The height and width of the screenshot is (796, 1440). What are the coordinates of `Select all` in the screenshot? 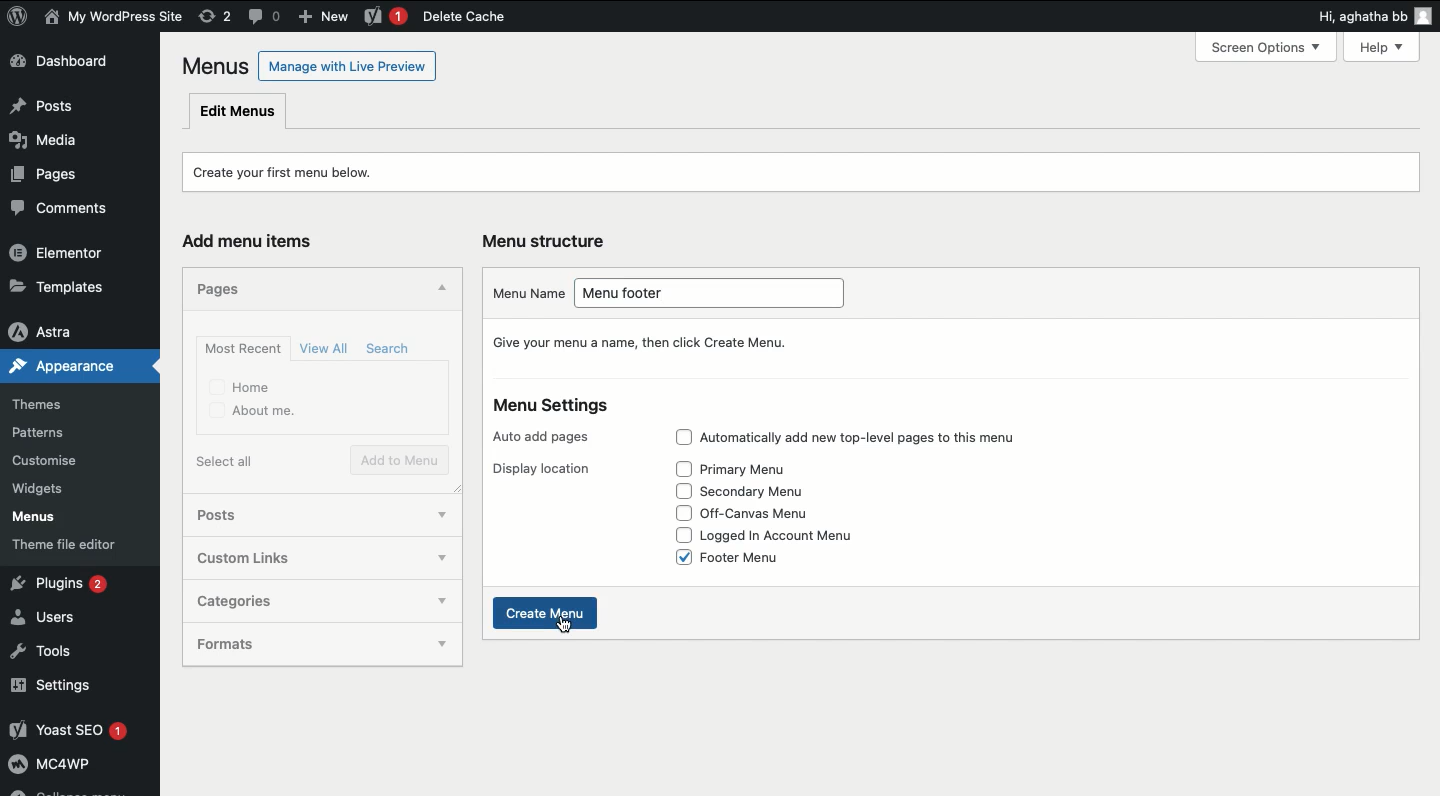 It's located at (224, 461).